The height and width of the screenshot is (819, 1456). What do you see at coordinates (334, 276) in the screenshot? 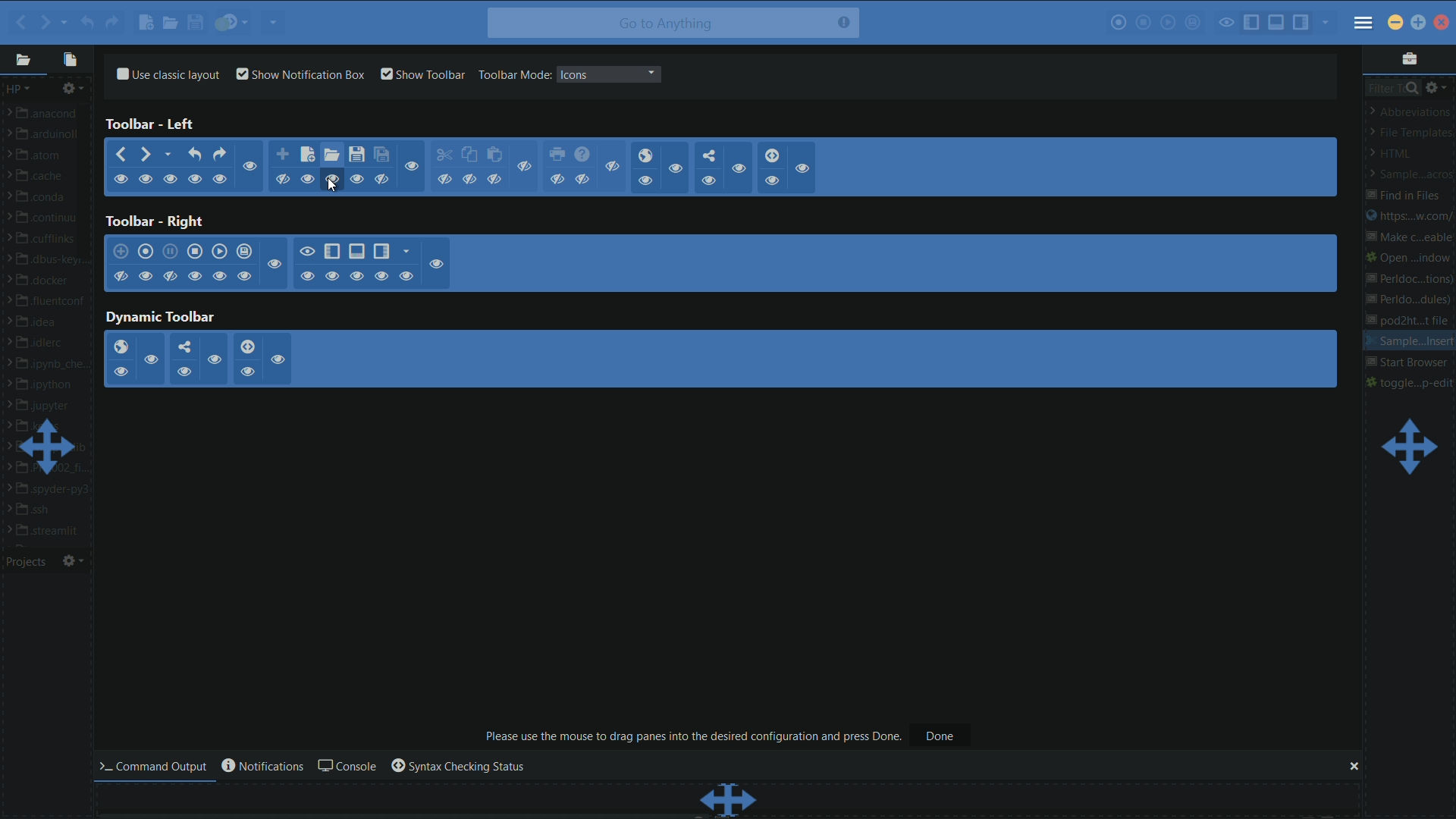
I see `hide/show` at bounding box center [334, 276].